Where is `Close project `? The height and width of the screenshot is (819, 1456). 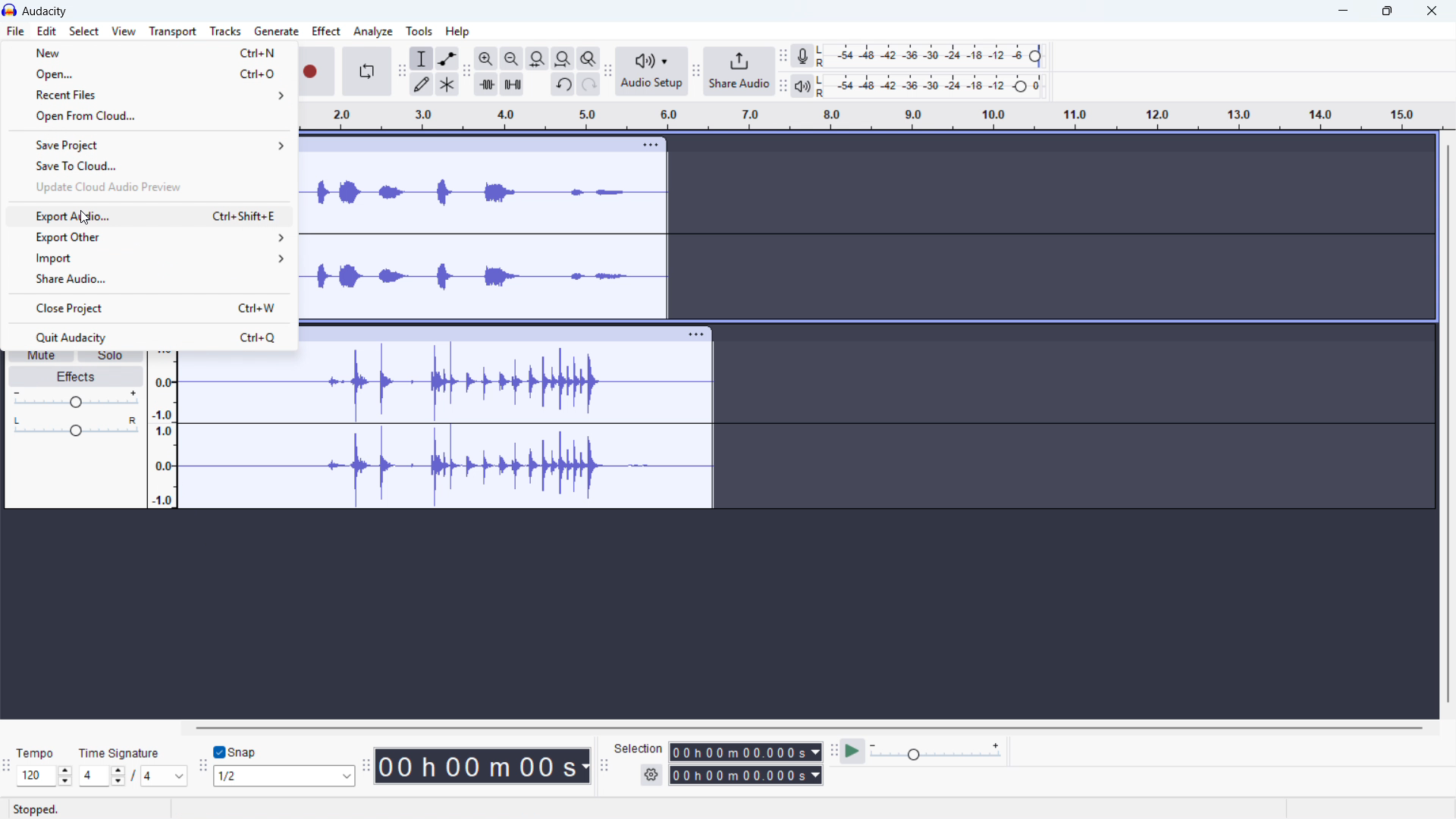 Close project  is located at coordinates (148, 307).